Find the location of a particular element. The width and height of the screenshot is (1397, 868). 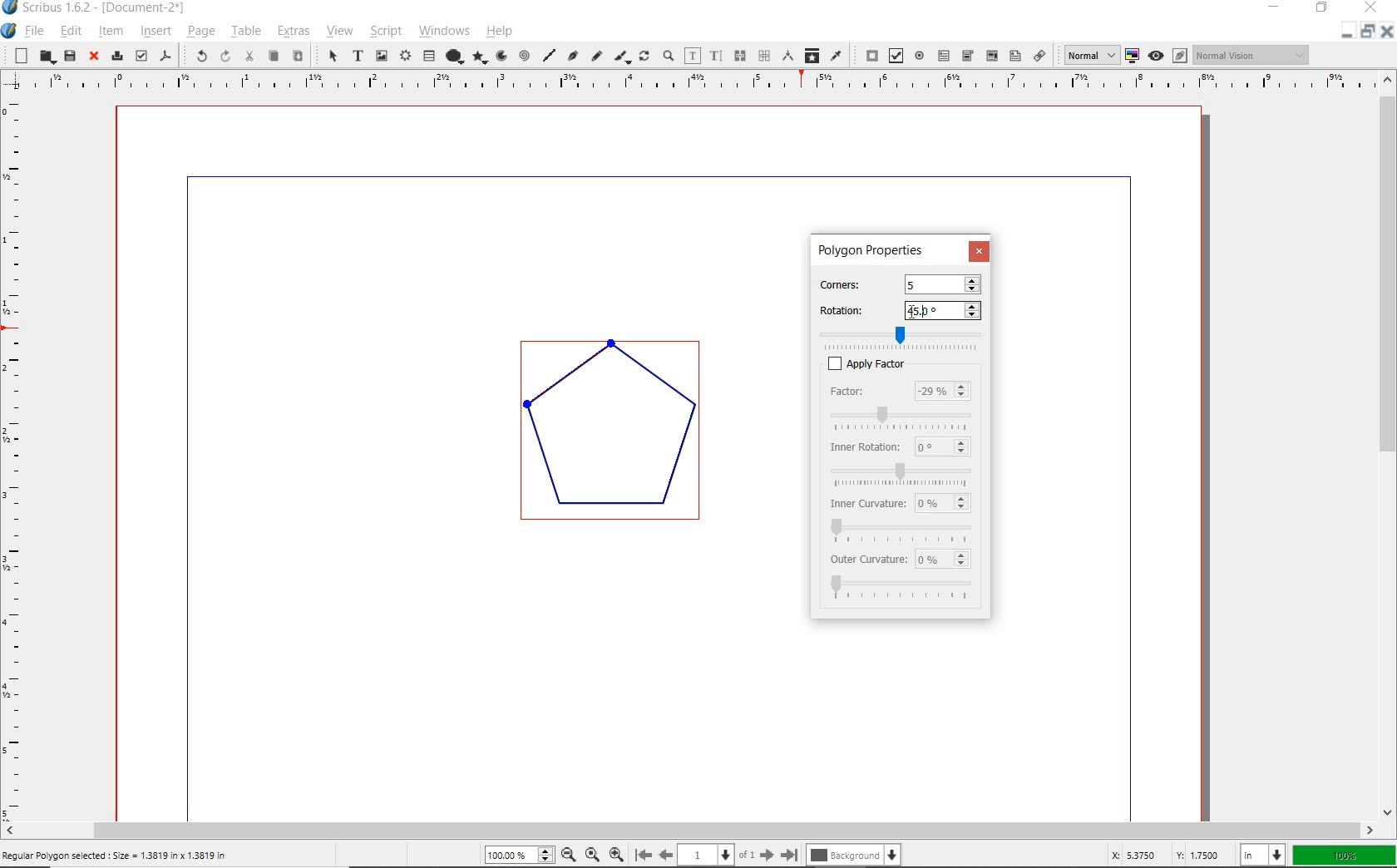

preview mode is located at coordinates (1167, 56).